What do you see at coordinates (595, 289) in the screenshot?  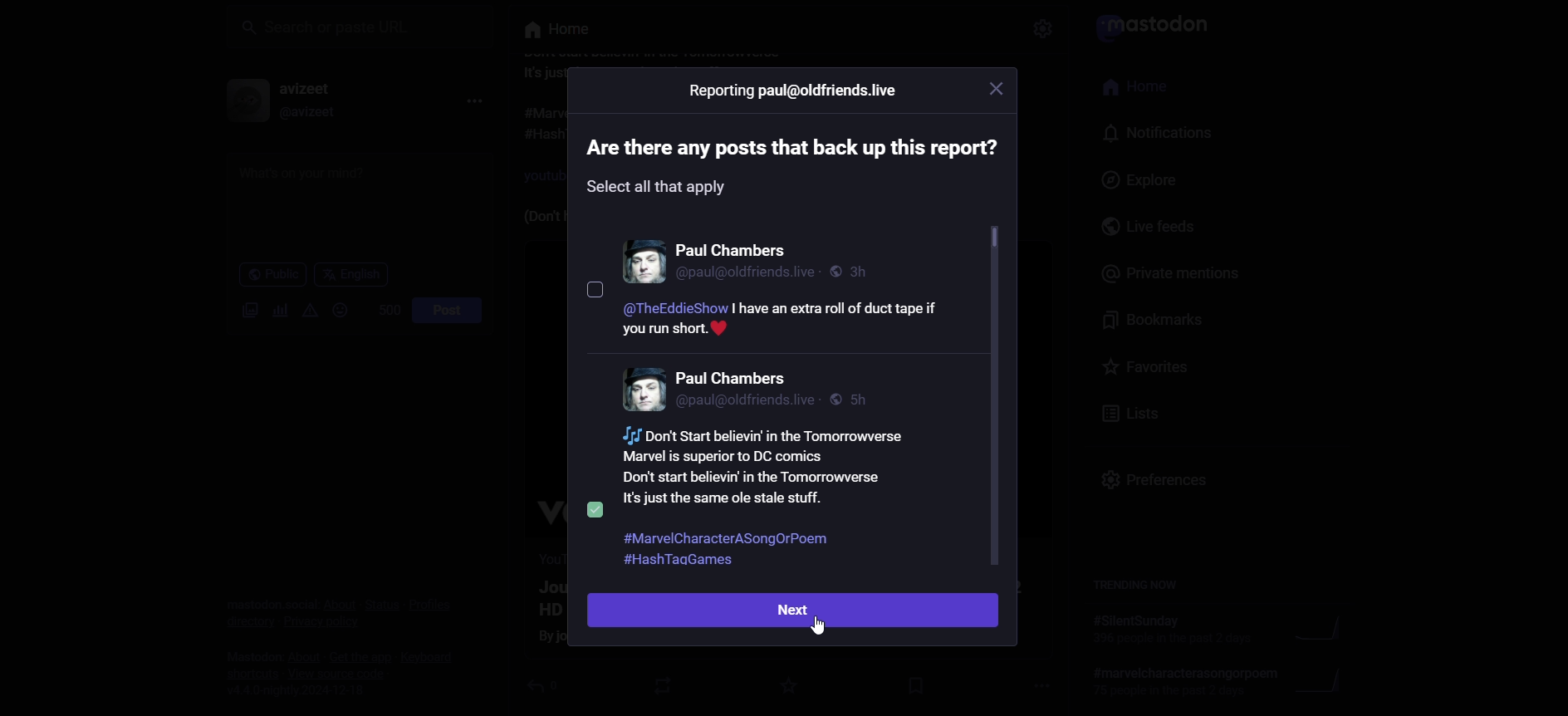 I see `` at bounding box center [595, 289].